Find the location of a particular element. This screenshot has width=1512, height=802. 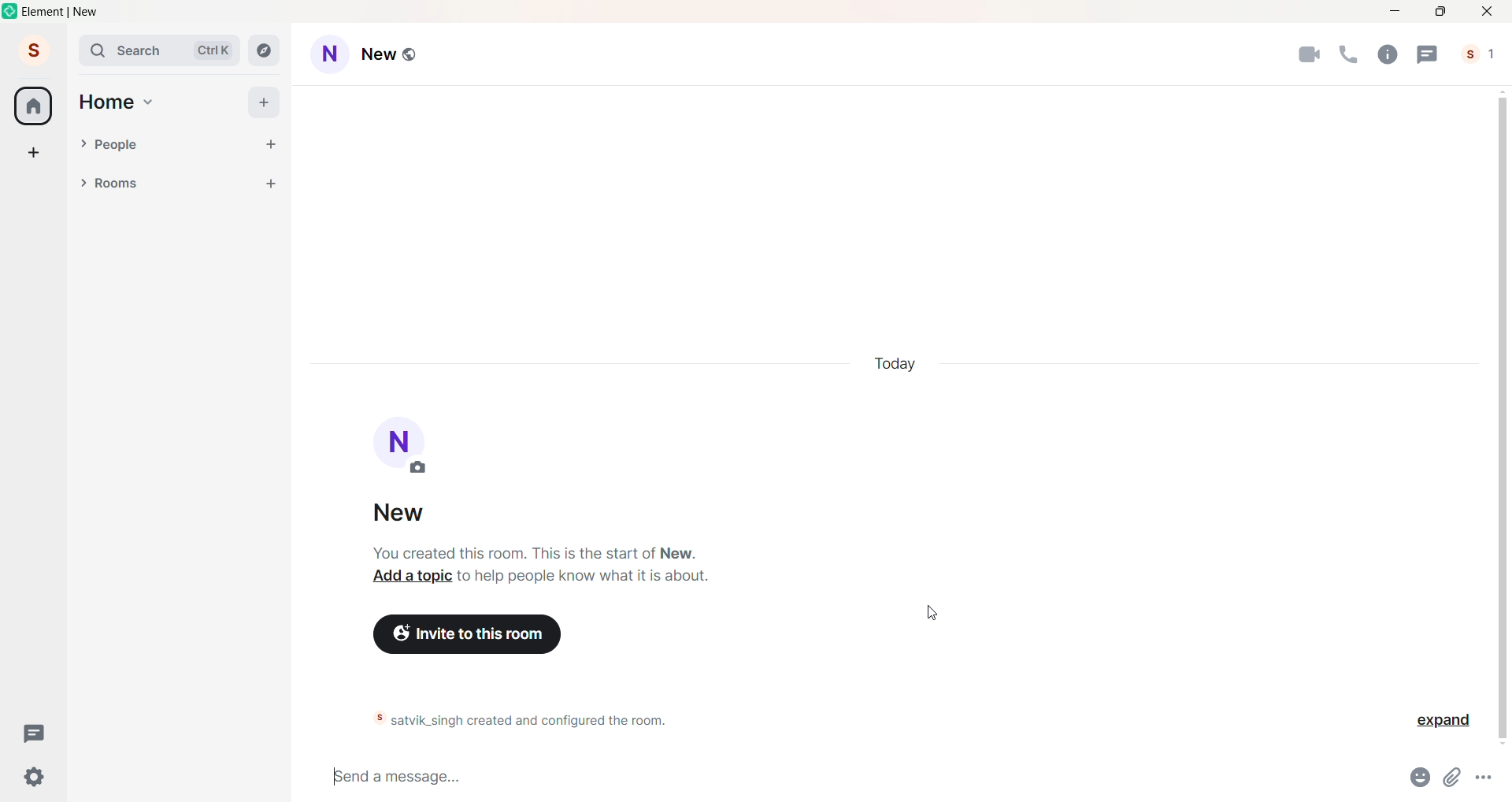

Invite to this room is located at coordinates (468, 635).